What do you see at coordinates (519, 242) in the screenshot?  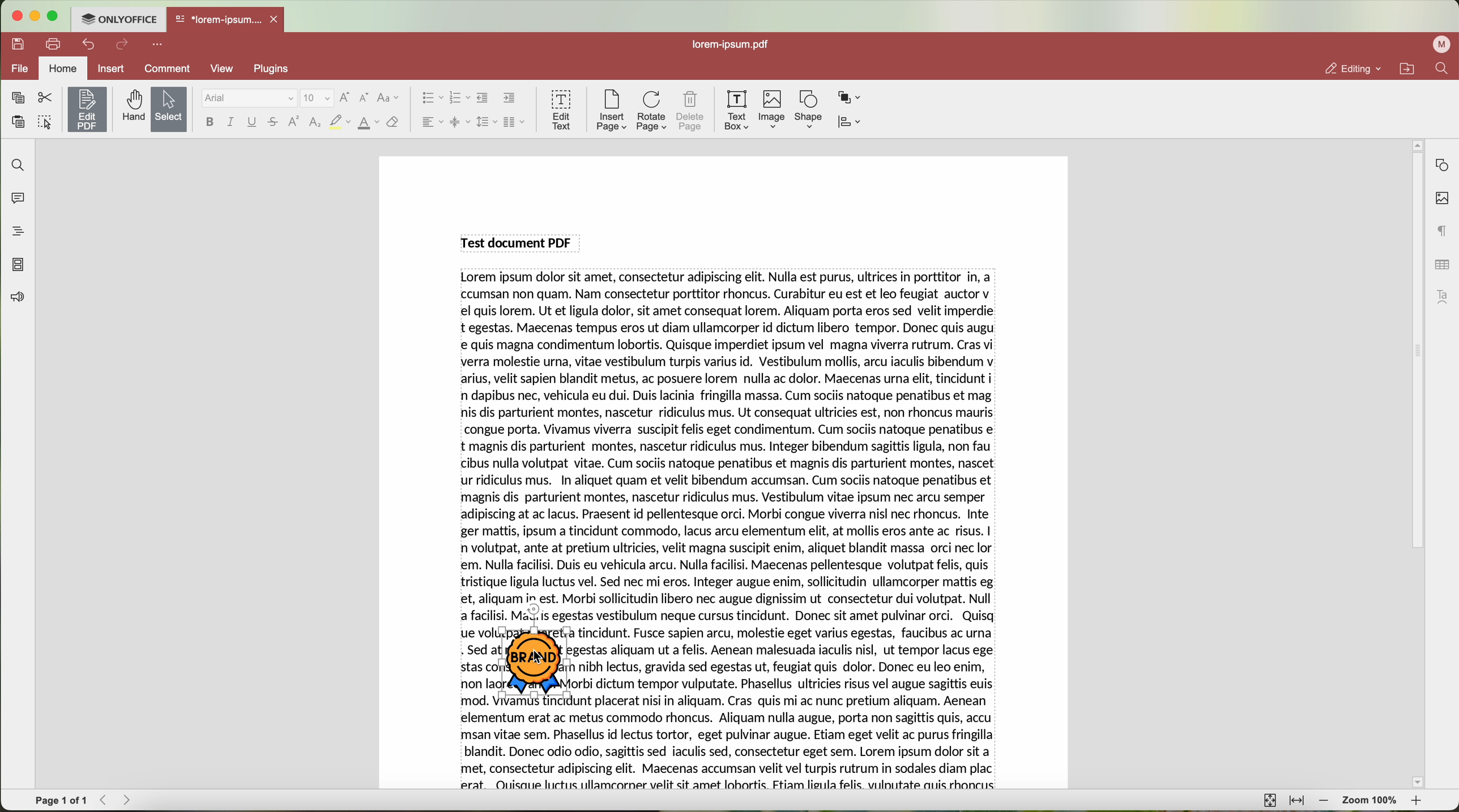 I see `Test document PDF` at bounding box center [519, 242].